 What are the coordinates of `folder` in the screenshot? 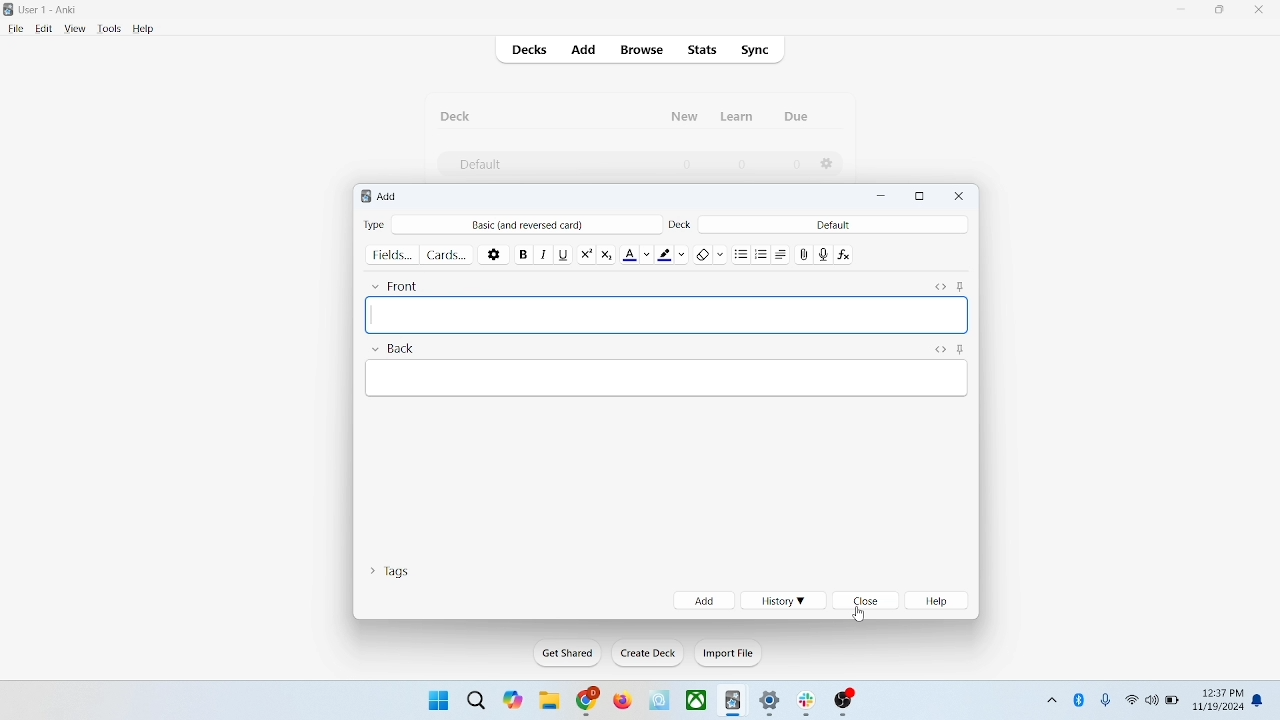 It's located at (548, 702).